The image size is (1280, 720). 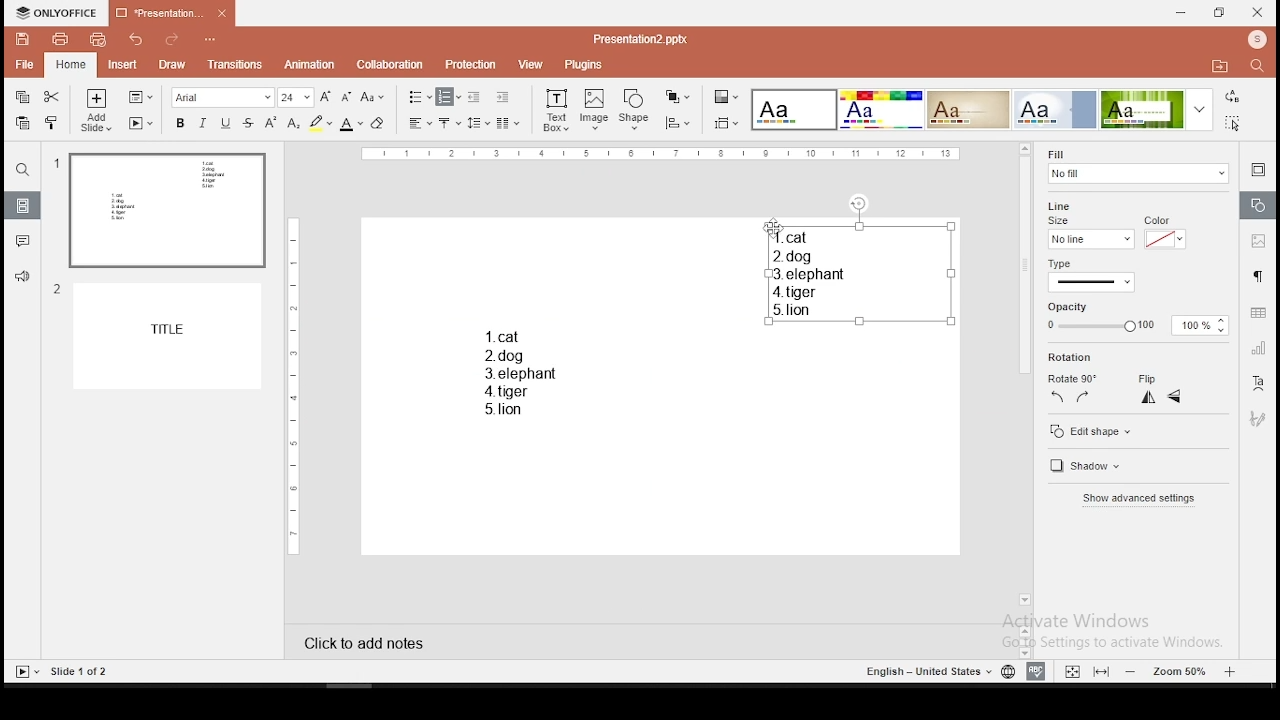 I want to click on text box, so click(x=856, y=272).